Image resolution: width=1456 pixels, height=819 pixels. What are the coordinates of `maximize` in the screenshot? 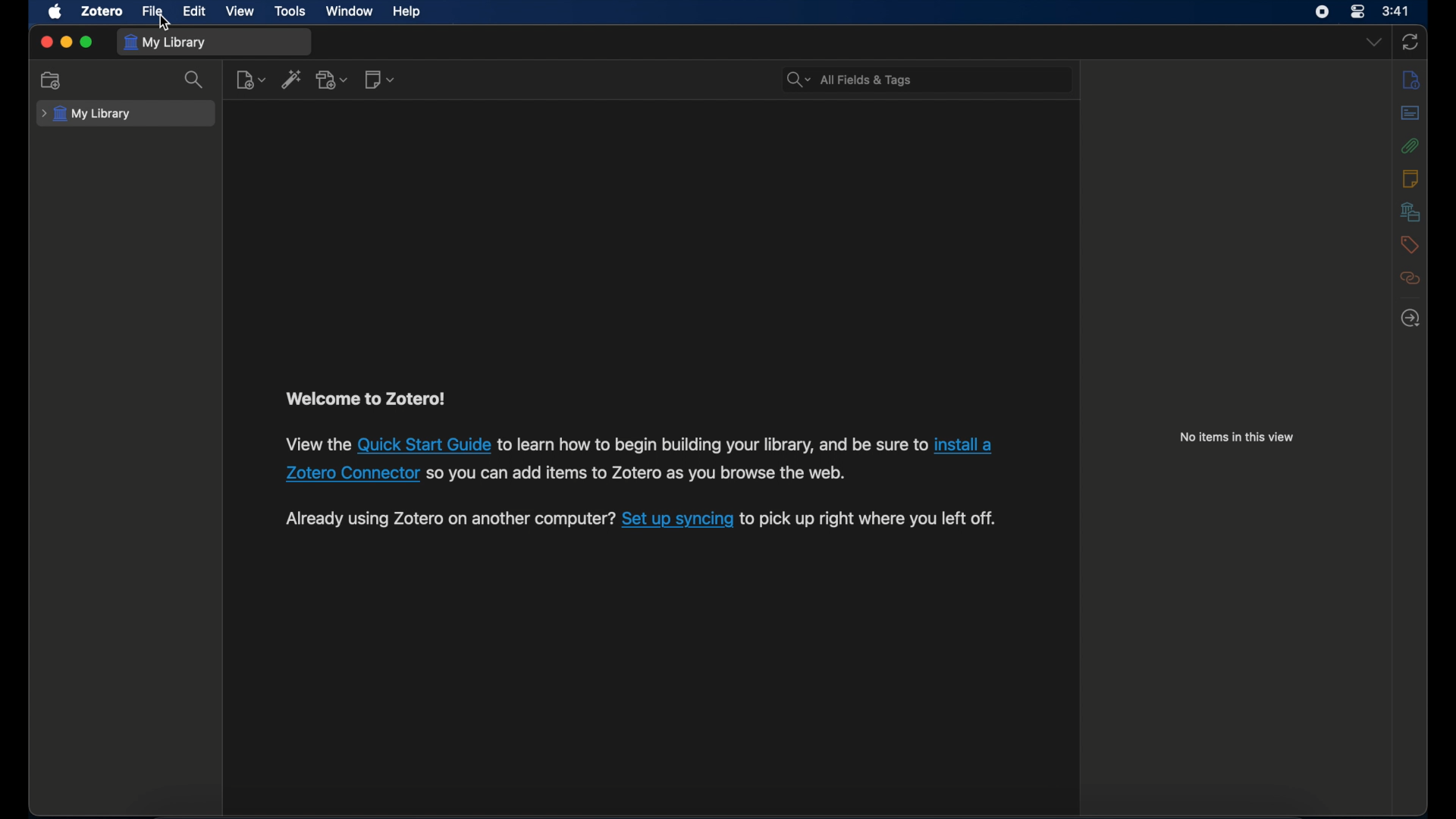 It's located at (86, 42).